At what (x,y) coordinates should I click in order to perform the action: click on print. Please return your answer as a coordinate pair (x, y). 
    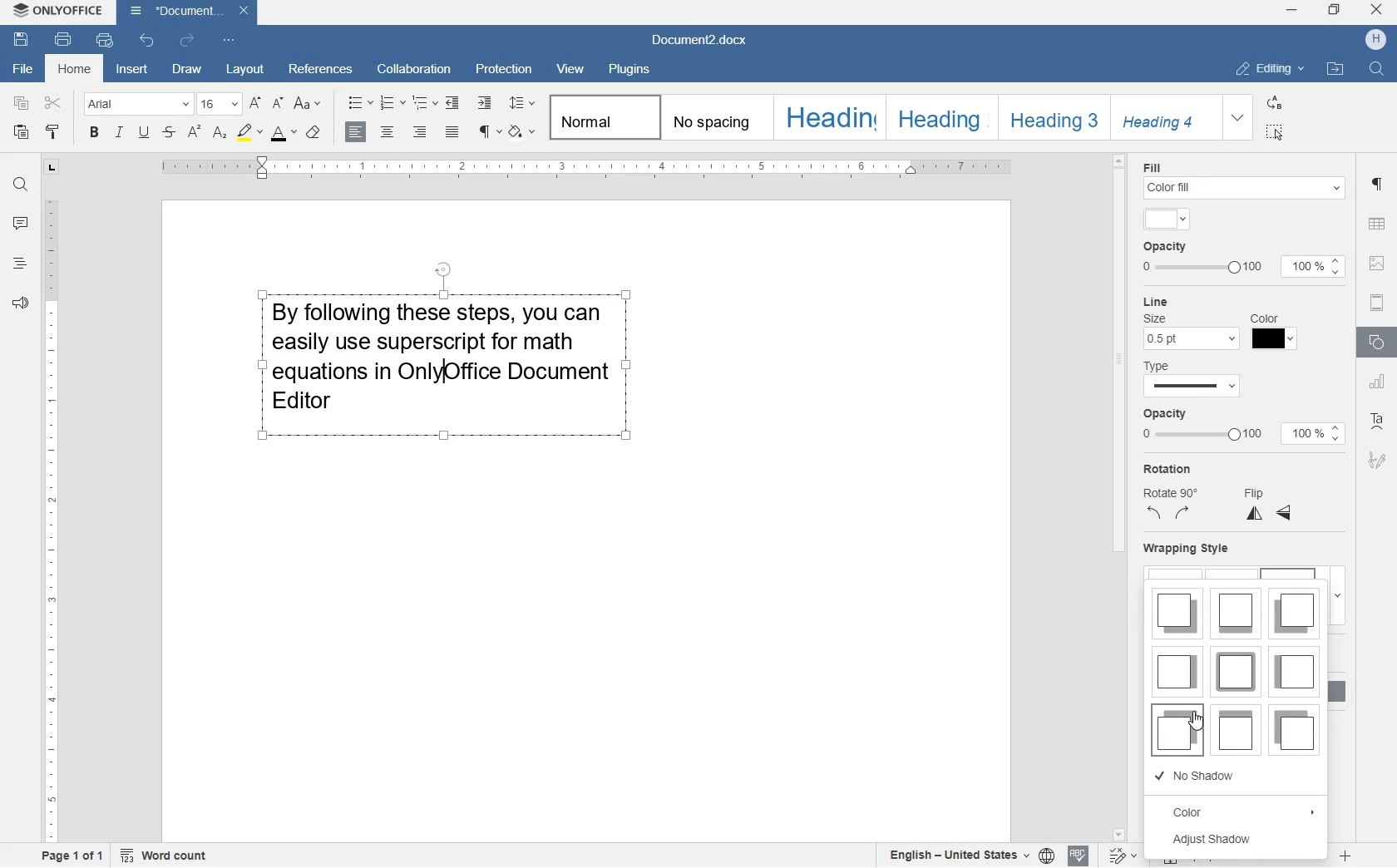
    Looking at the image, I should click on (64, 40).